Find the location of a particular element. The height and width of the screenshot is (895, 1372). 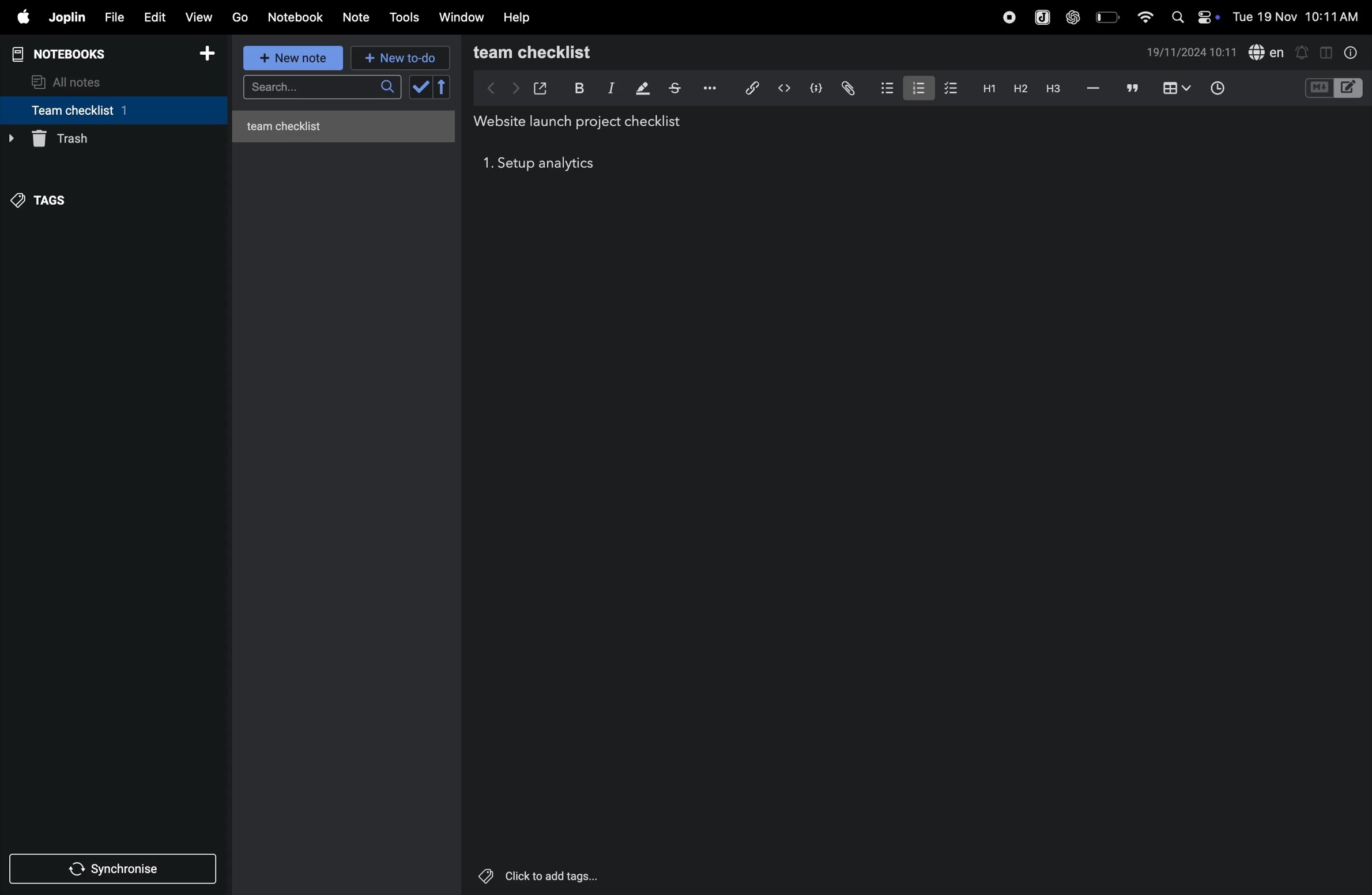

time is located at coordinates (1219, 87).